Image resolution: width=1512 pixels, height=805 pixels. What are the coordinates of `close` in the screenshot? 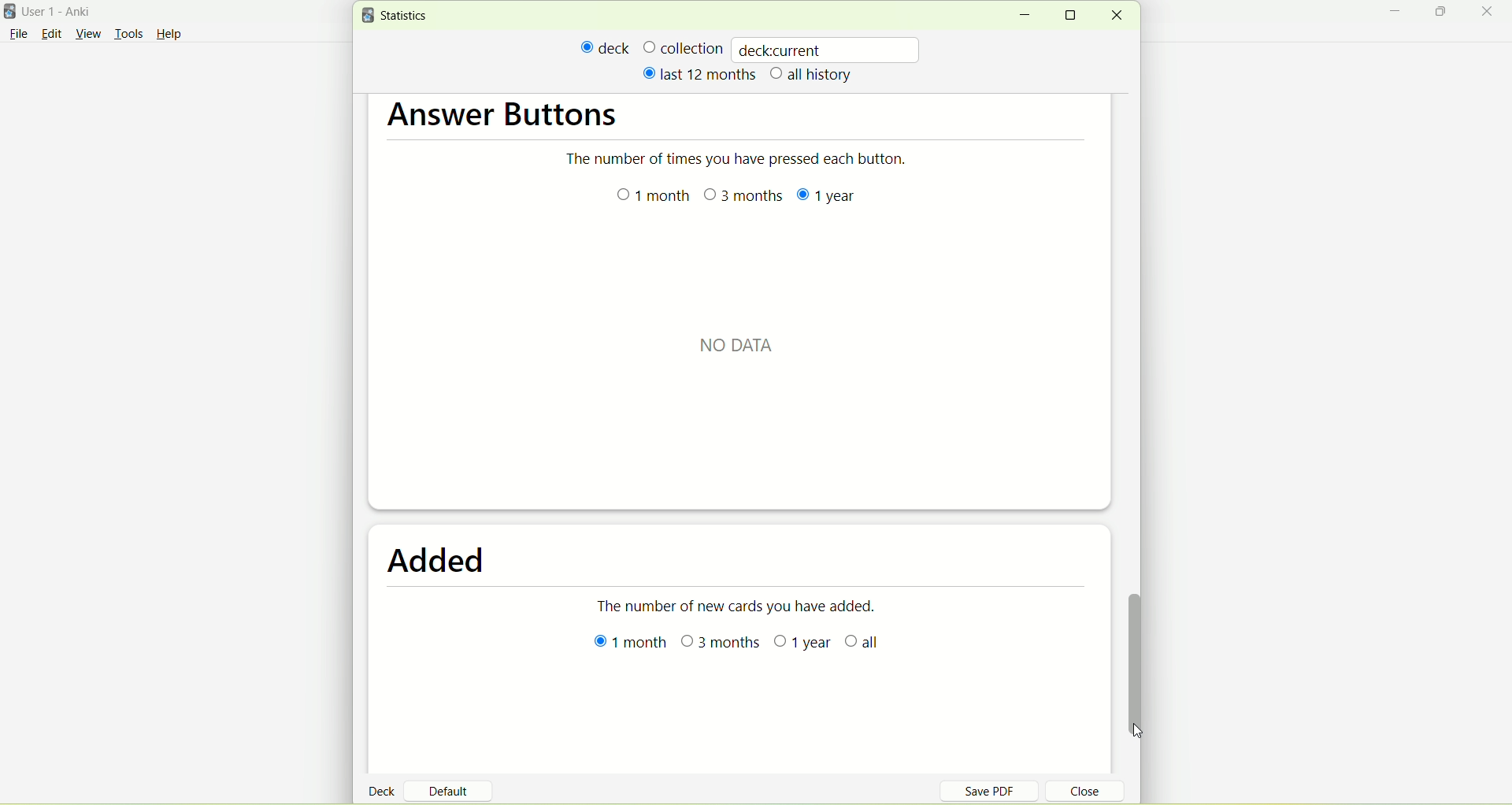 It's located at (1076, 793).